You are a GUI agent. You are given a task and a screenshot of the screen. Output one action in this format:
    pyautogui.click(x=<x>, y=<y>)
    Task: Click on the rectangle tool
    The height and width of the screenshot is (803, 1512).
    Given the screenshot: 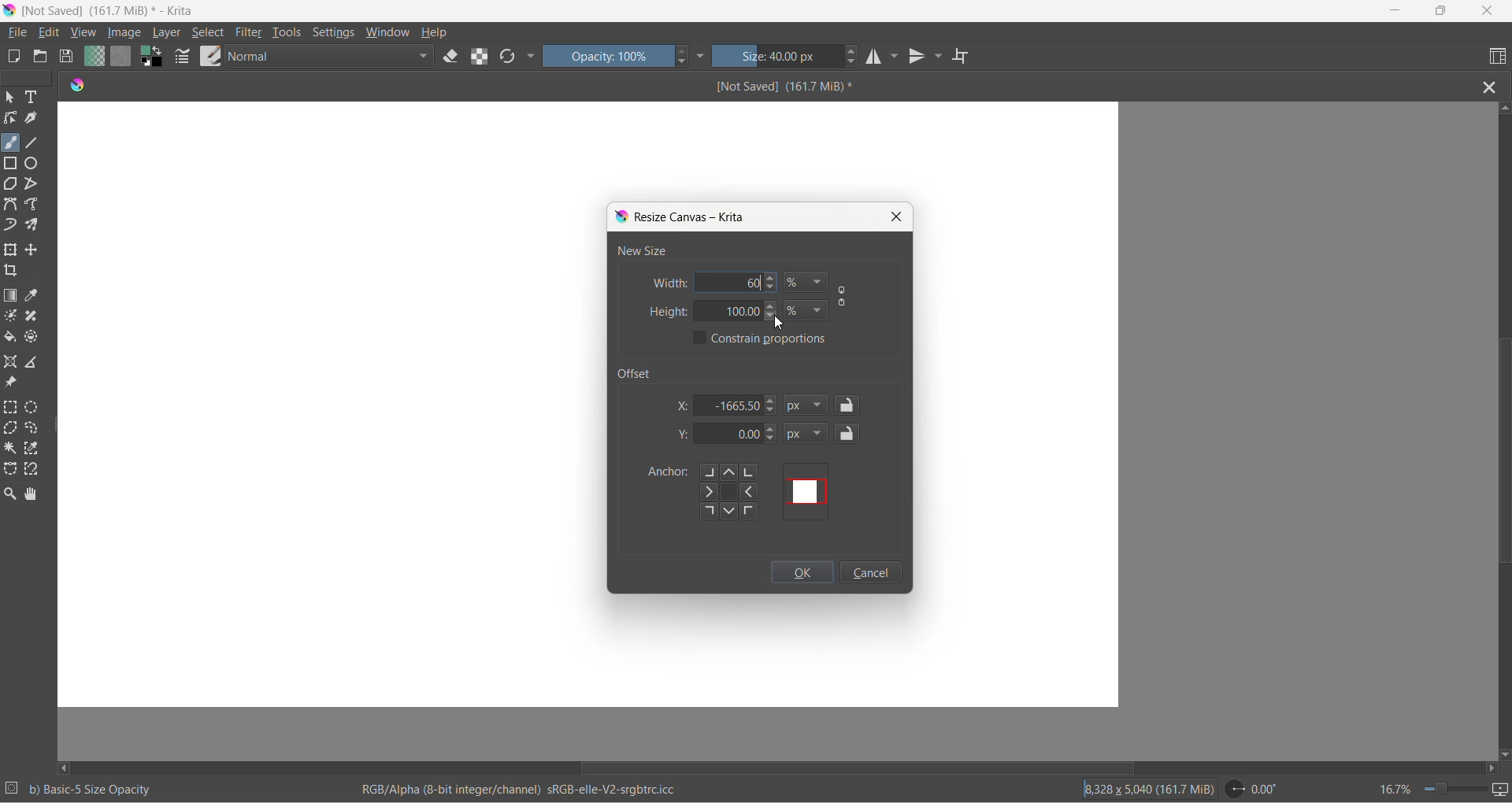 What is the action you would take?
    pyautogui.click(x=13, y=162)
    